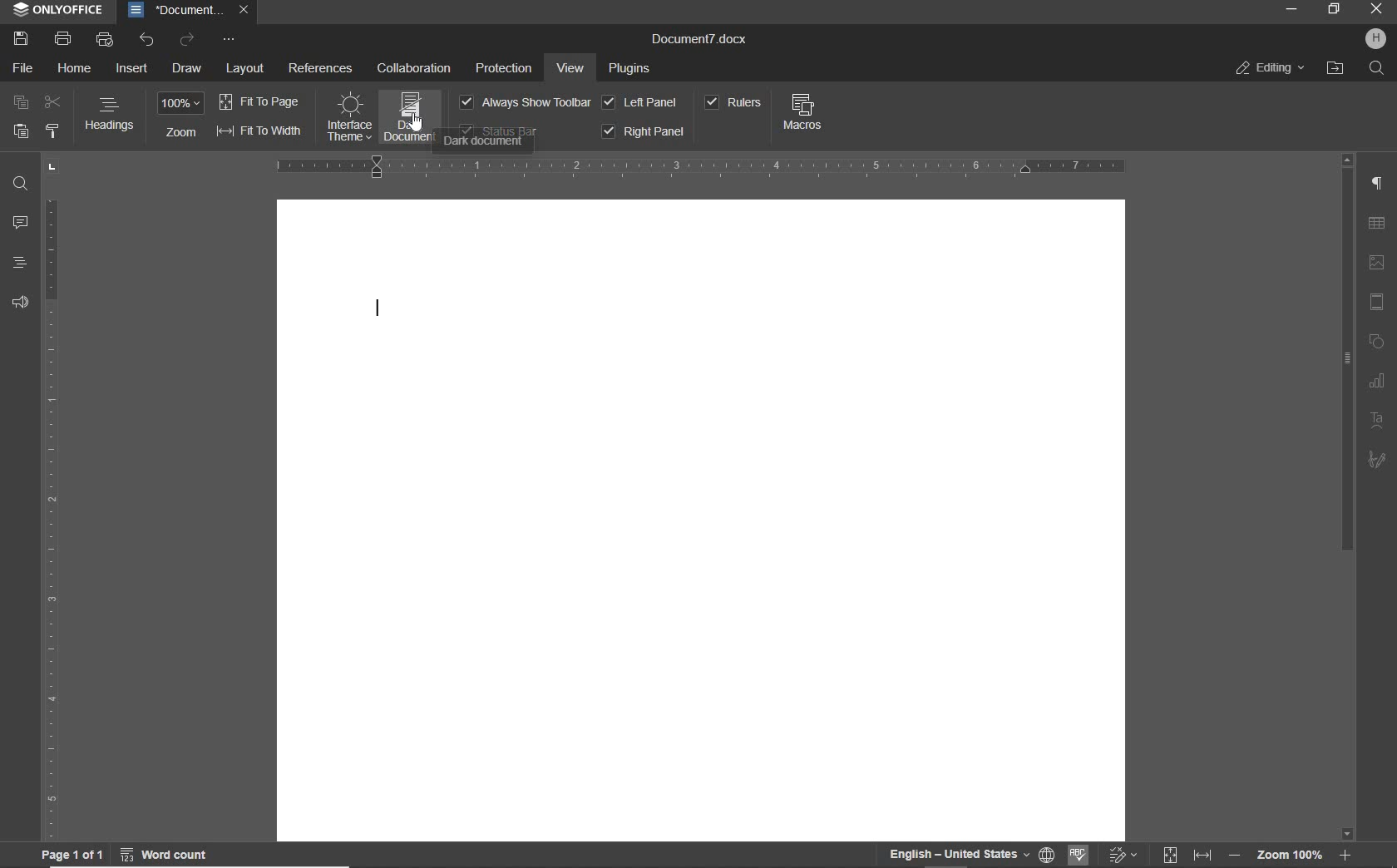 The width and height of the screenshot is (1397, 868). What do you see at coordinates (1377, 184) in the screenshot?
I see `PARAGRAPH SETTINGS` at bounding box center [1377, 184].